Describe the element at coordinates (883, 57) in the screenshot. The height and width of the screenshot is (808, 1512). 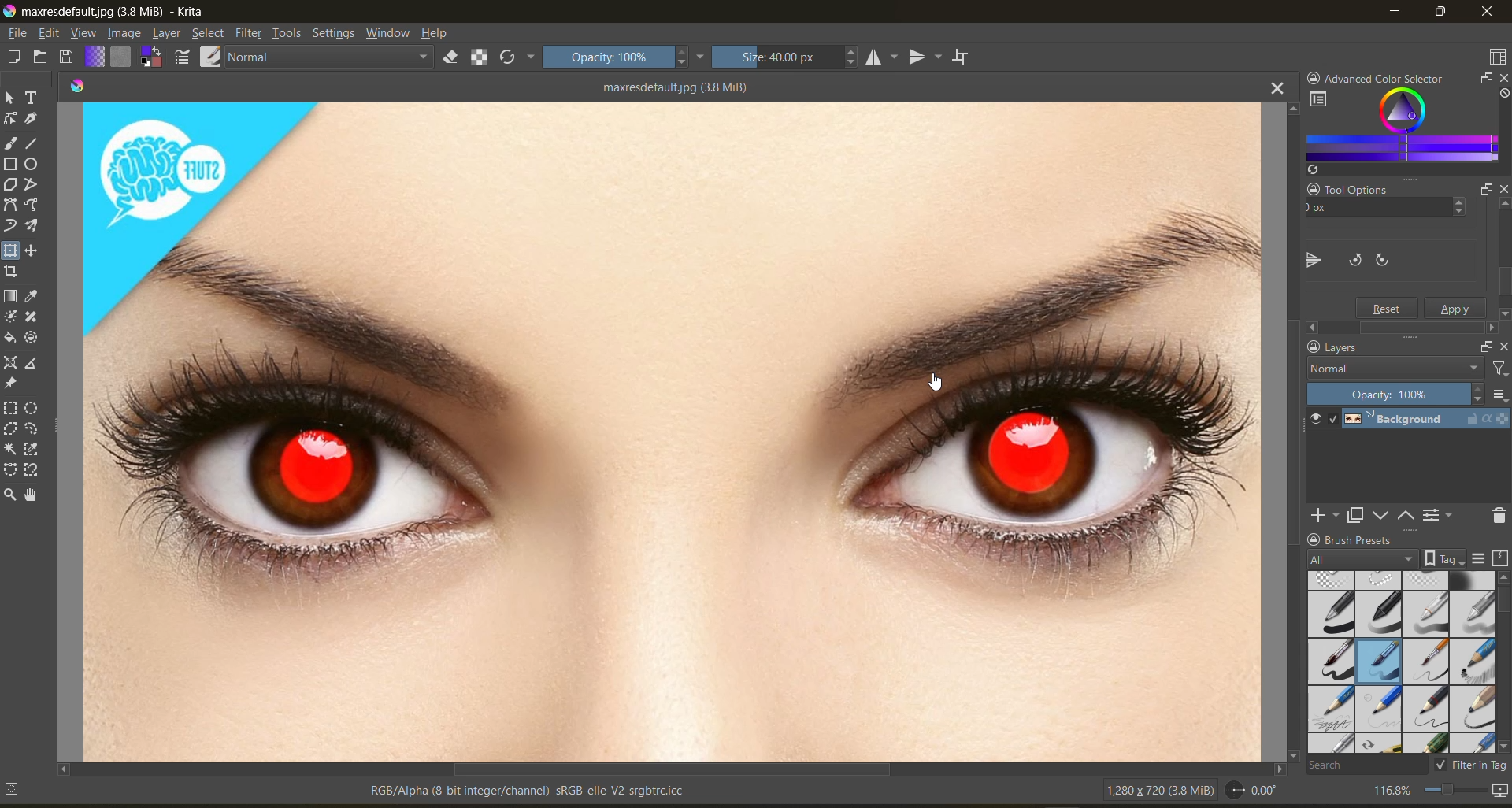
I see `horizontal mirror tool` at that location.